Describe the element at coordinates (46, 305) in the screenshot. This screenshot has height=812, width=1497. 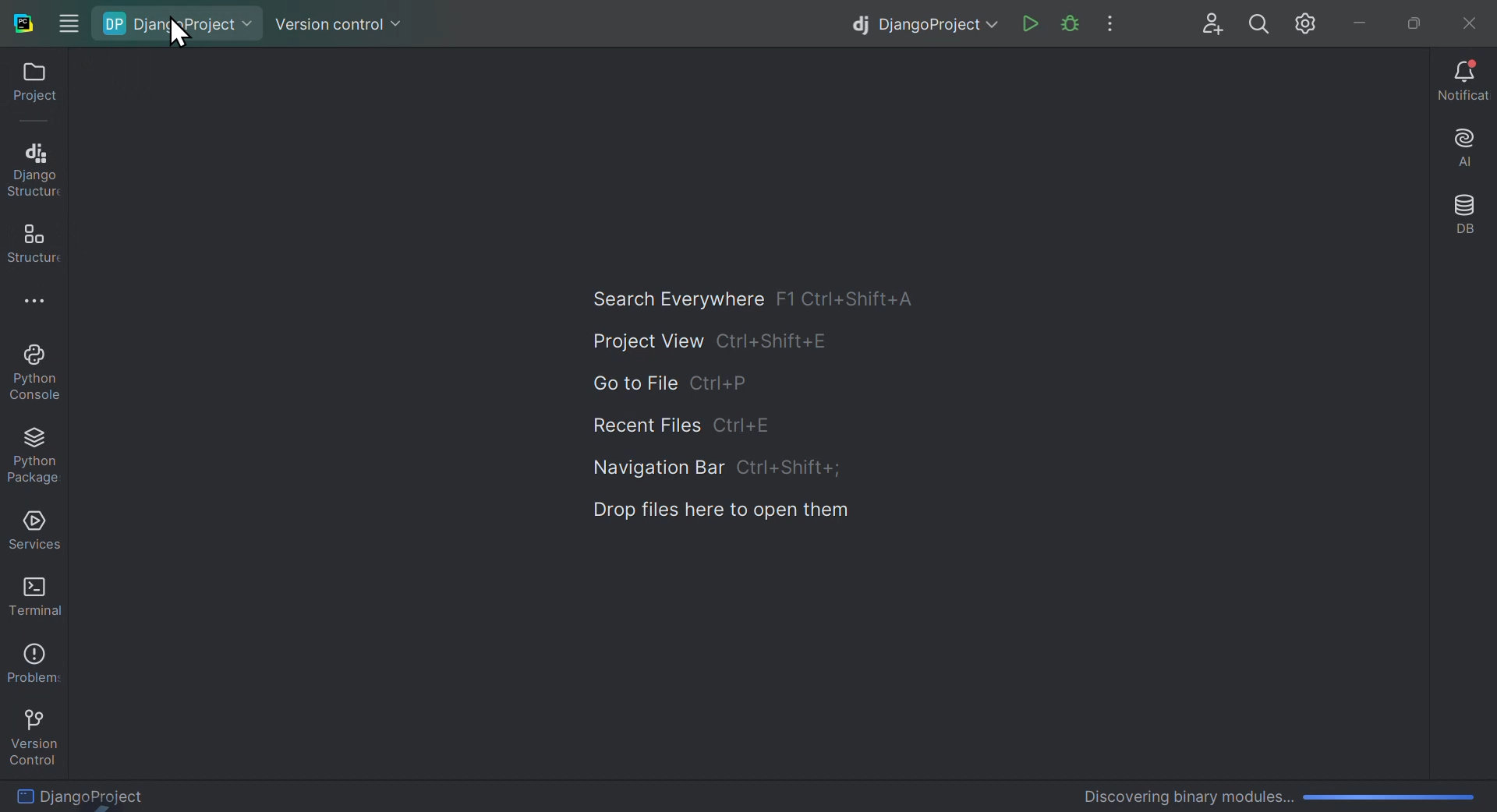
I see `More options` at that location.